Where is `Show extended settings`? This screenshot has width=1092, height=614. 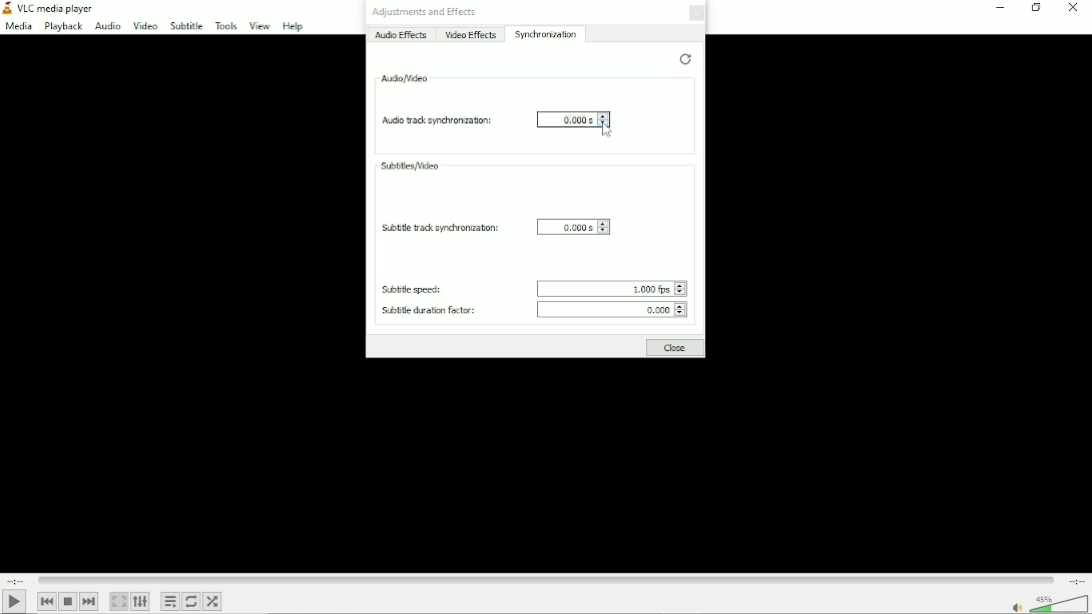 Show extended settings is located at coordinates (140, 602).